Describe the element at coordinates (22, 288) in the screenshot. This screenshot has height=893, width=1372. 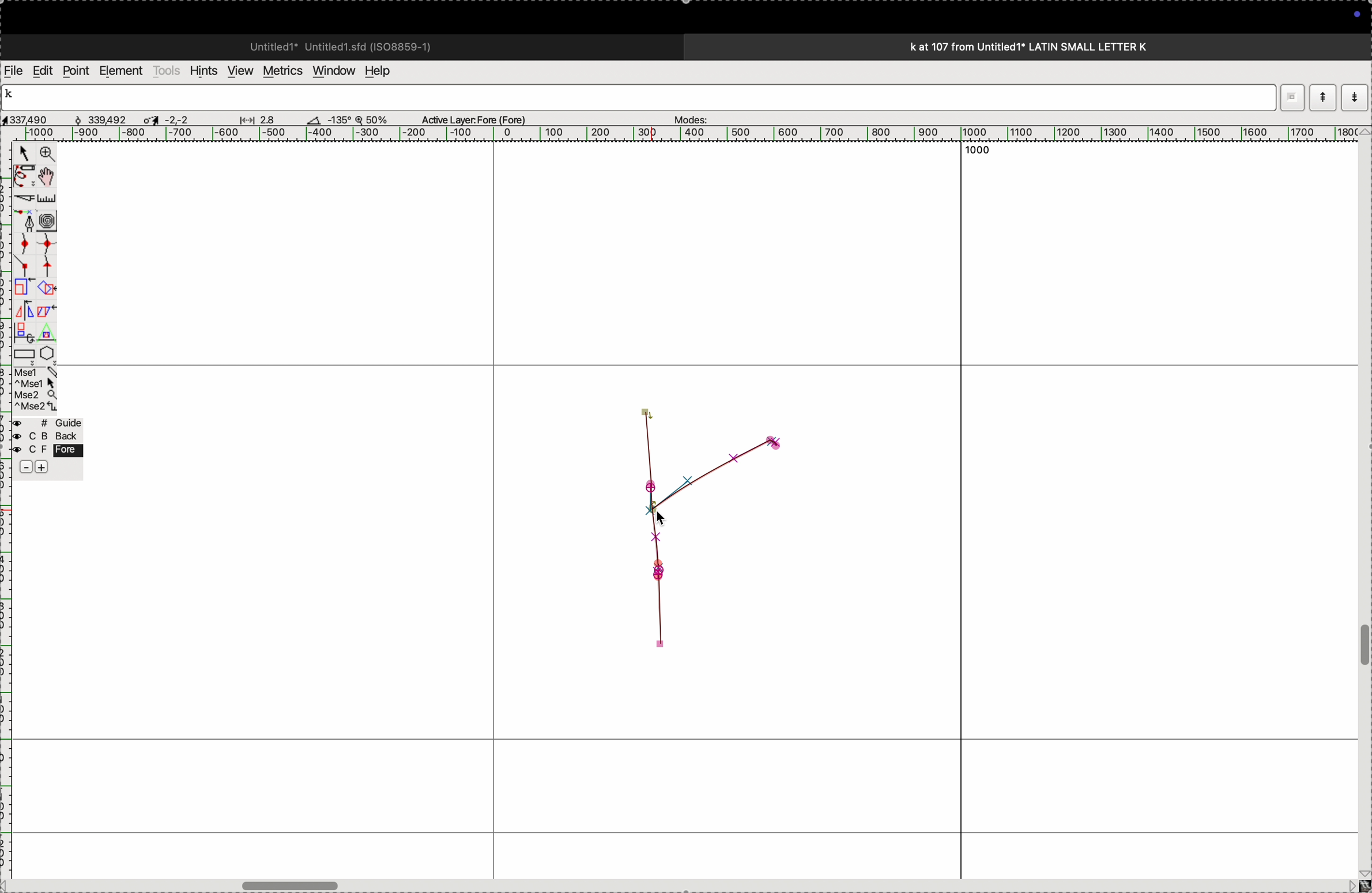
I see `clone` at that location.